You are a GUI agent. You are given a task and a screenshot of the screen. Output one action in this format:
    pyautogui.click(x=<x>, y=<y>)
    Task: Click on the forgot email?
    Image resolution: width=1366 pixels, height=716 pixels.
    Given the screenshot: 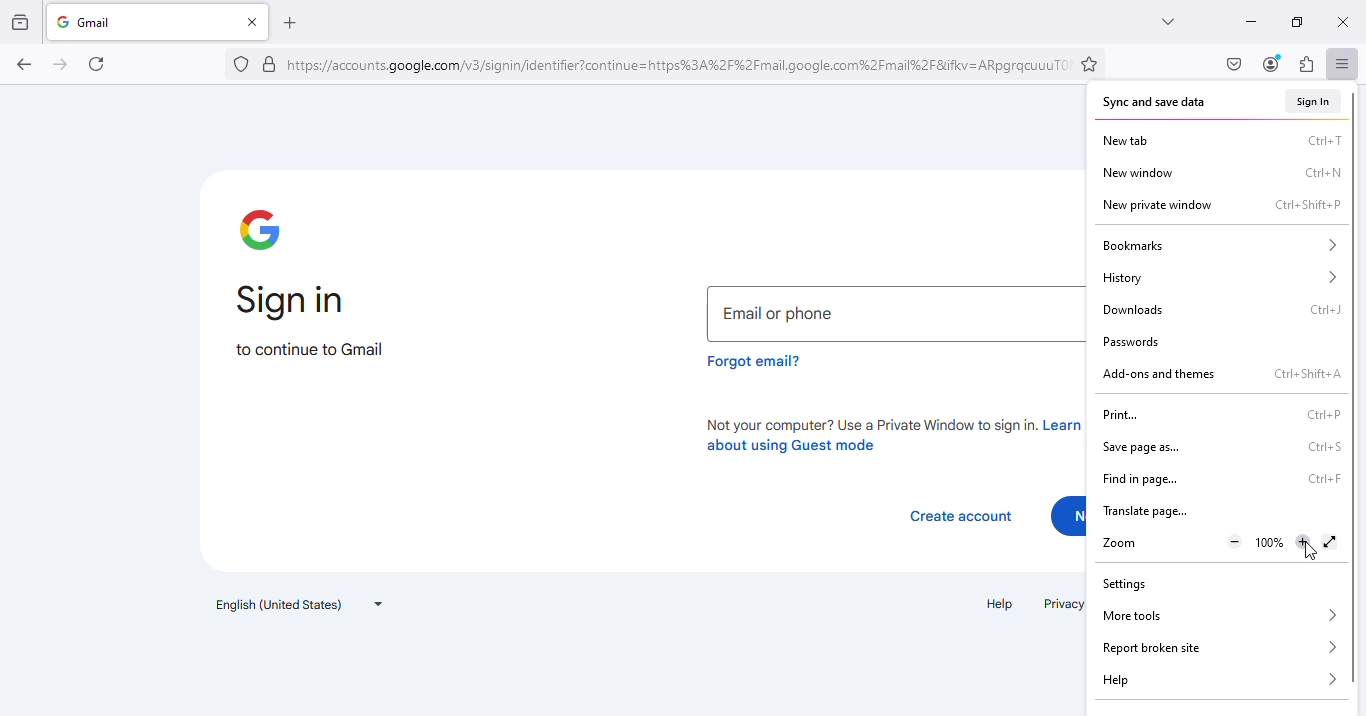 What is the action you would take?
    pyautogui.click(x=755, y=361)
    